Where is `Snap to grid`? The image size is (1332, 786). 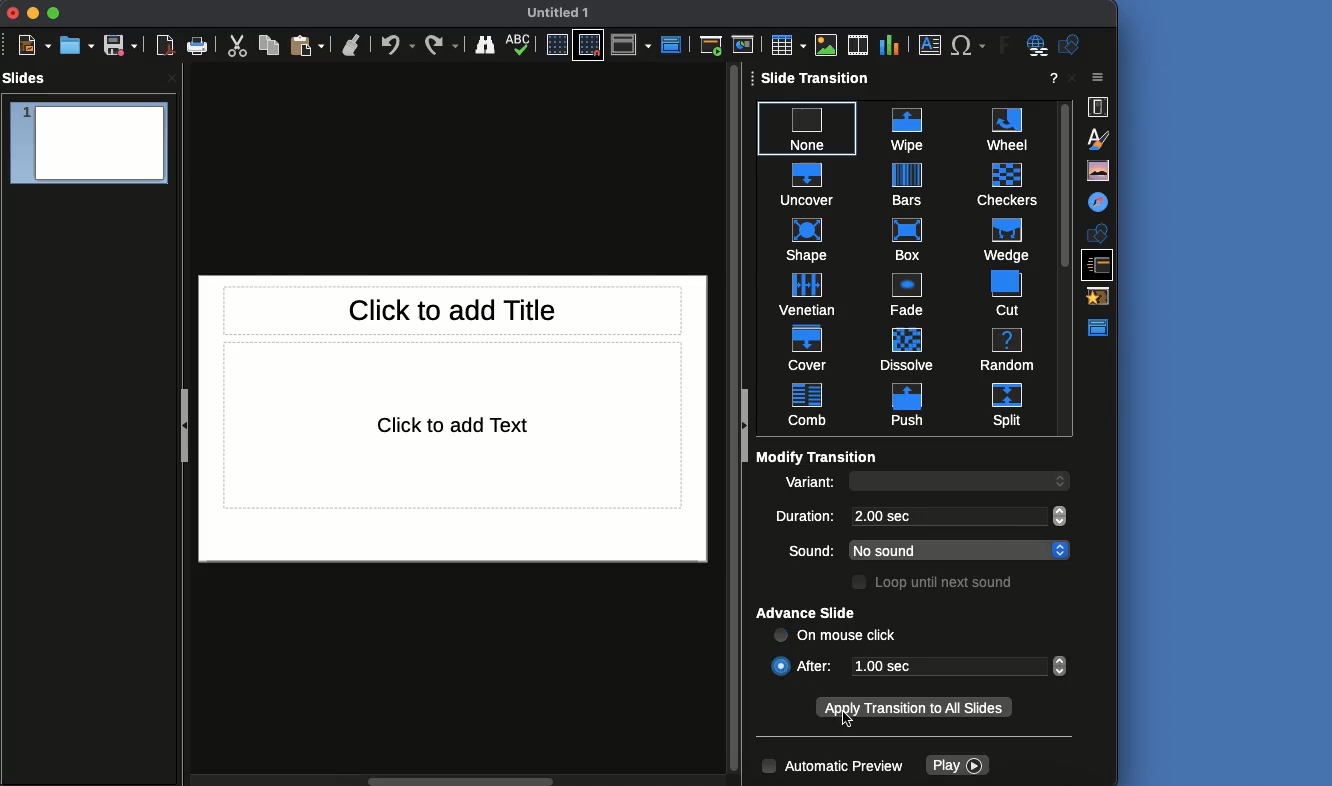 Snap to grid is located at coordinates (589, 45).